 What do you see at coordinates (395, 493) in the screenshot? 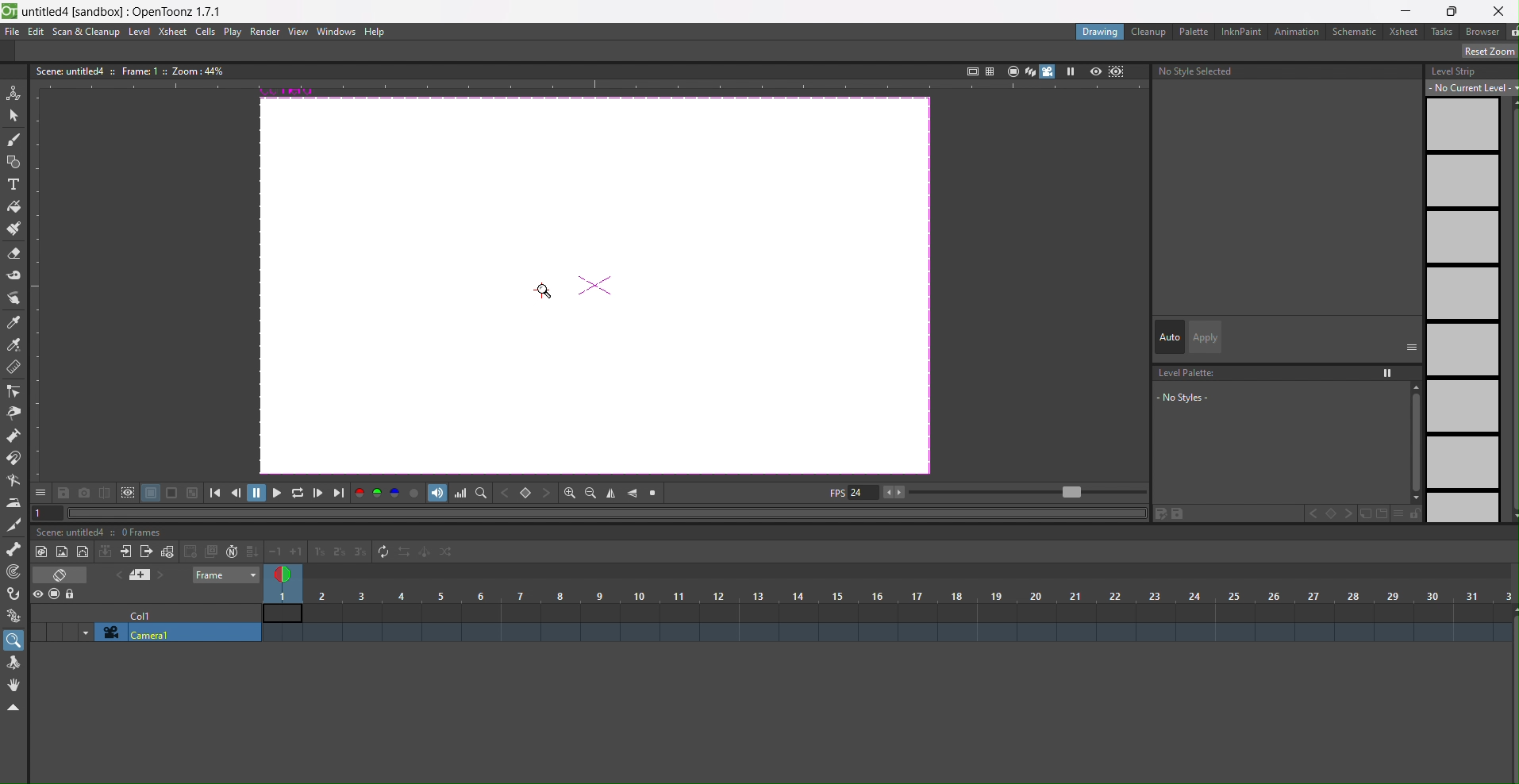
I see `` at bounding box center [395, 493].